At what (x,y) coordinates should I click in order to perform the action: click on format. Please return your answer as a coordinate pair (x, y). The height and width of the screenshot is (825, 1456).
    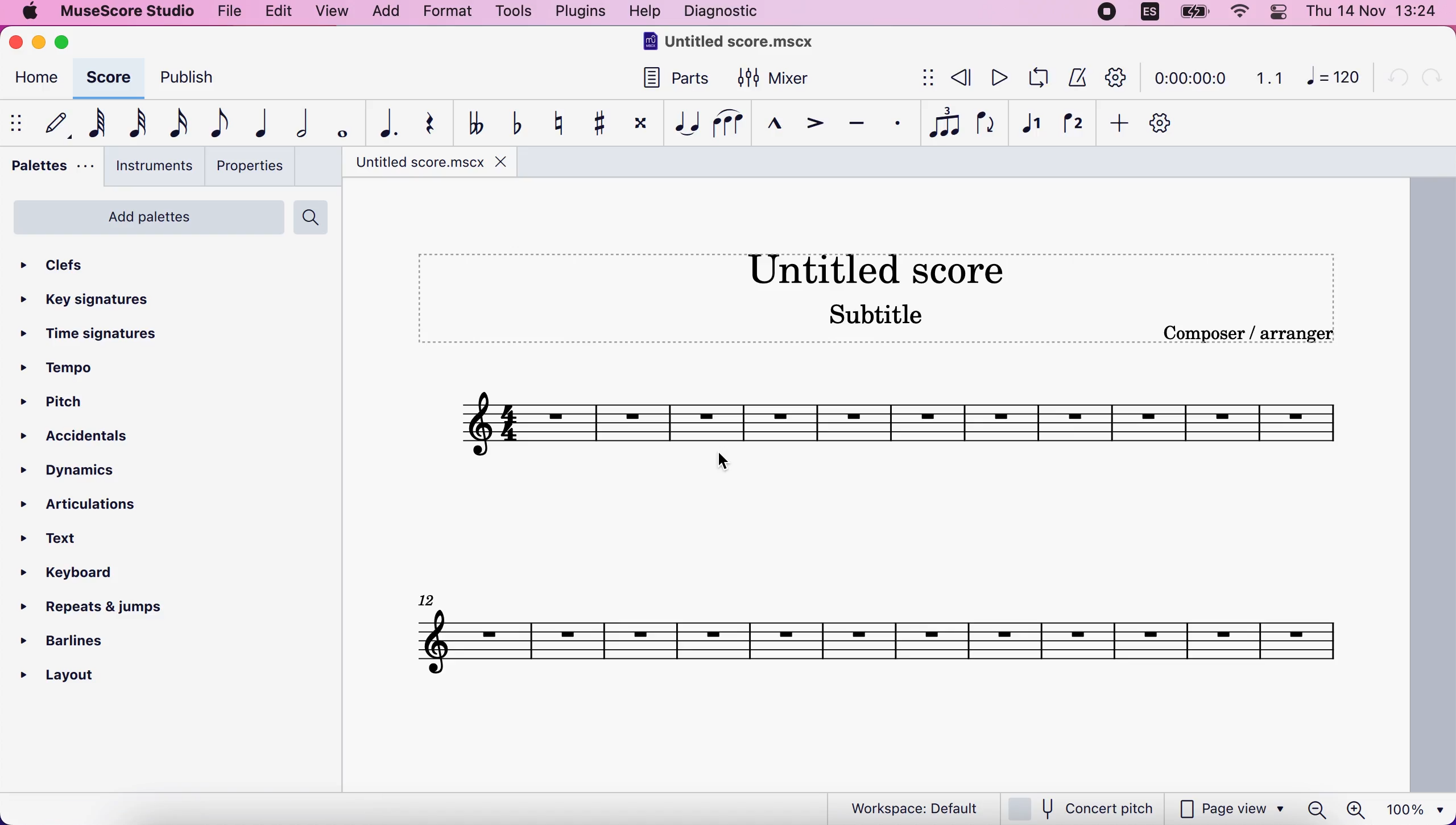
    Looking at the image, I should click on (449, 12).